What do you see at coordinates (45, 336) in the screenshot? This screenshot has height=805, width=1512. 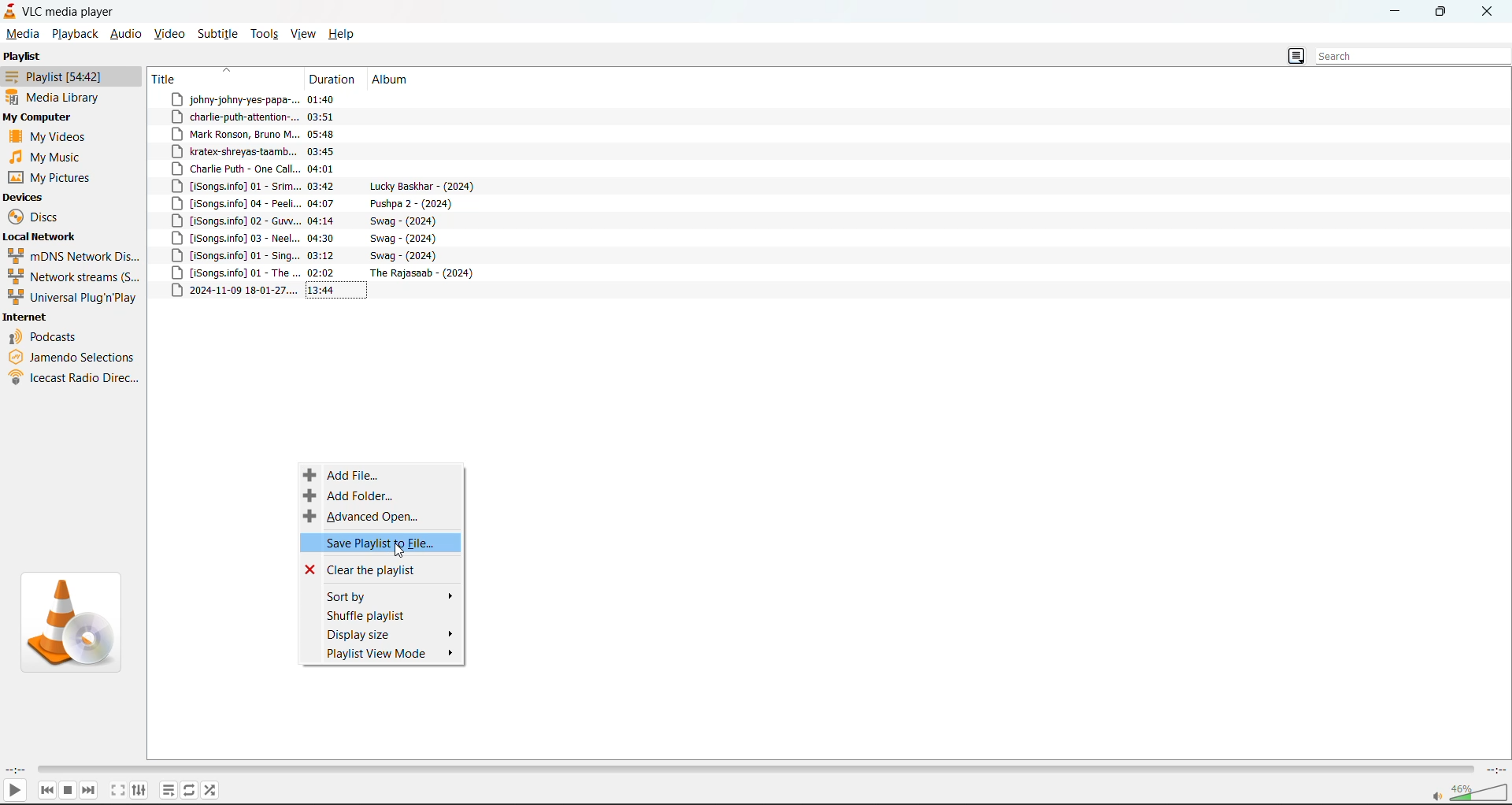 I see `podcasts` at bounding box center [45, 336].